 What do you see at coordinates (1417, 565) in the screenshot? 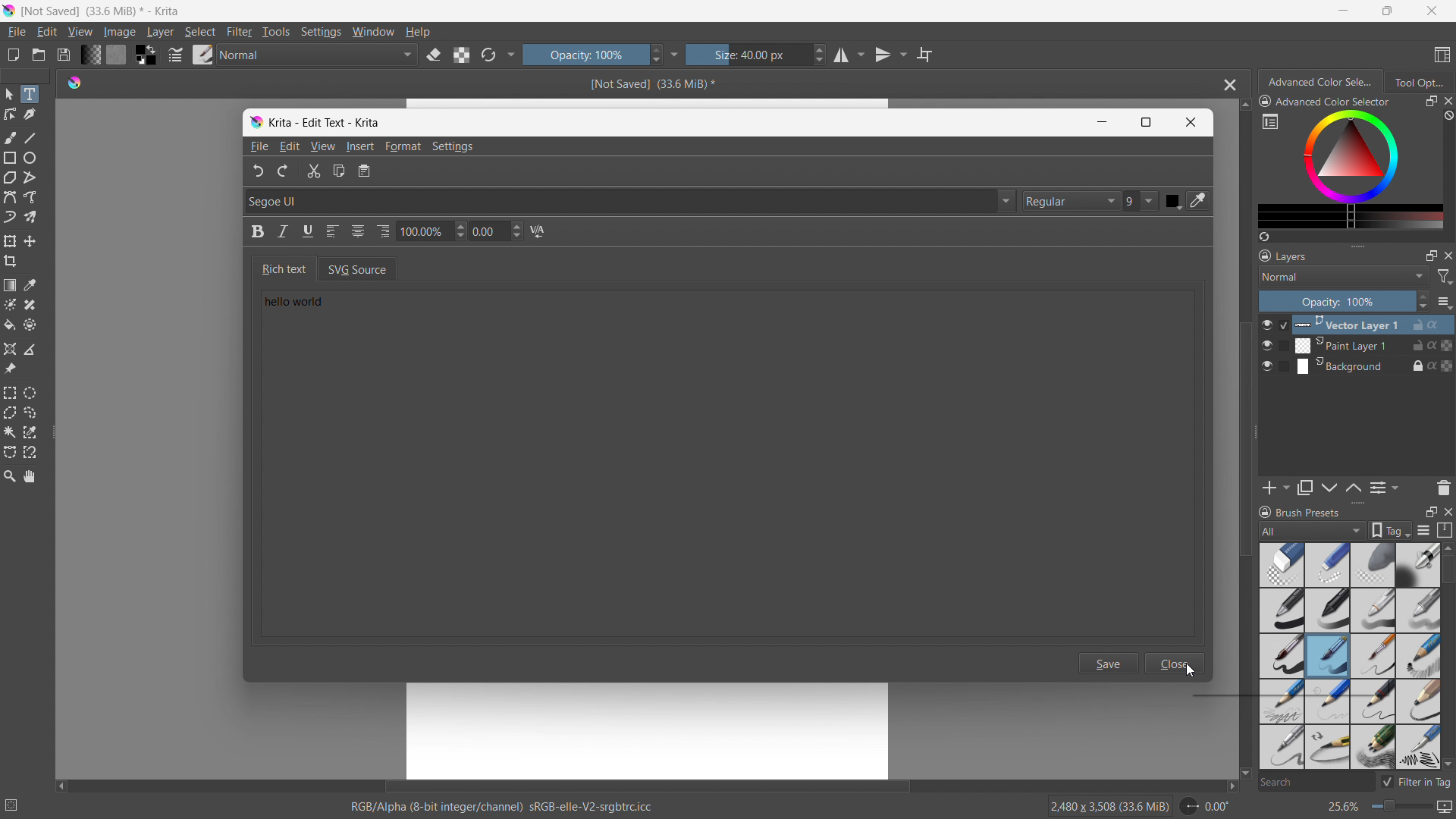
I see `Bold pen` at bounding box center [1417, 565].